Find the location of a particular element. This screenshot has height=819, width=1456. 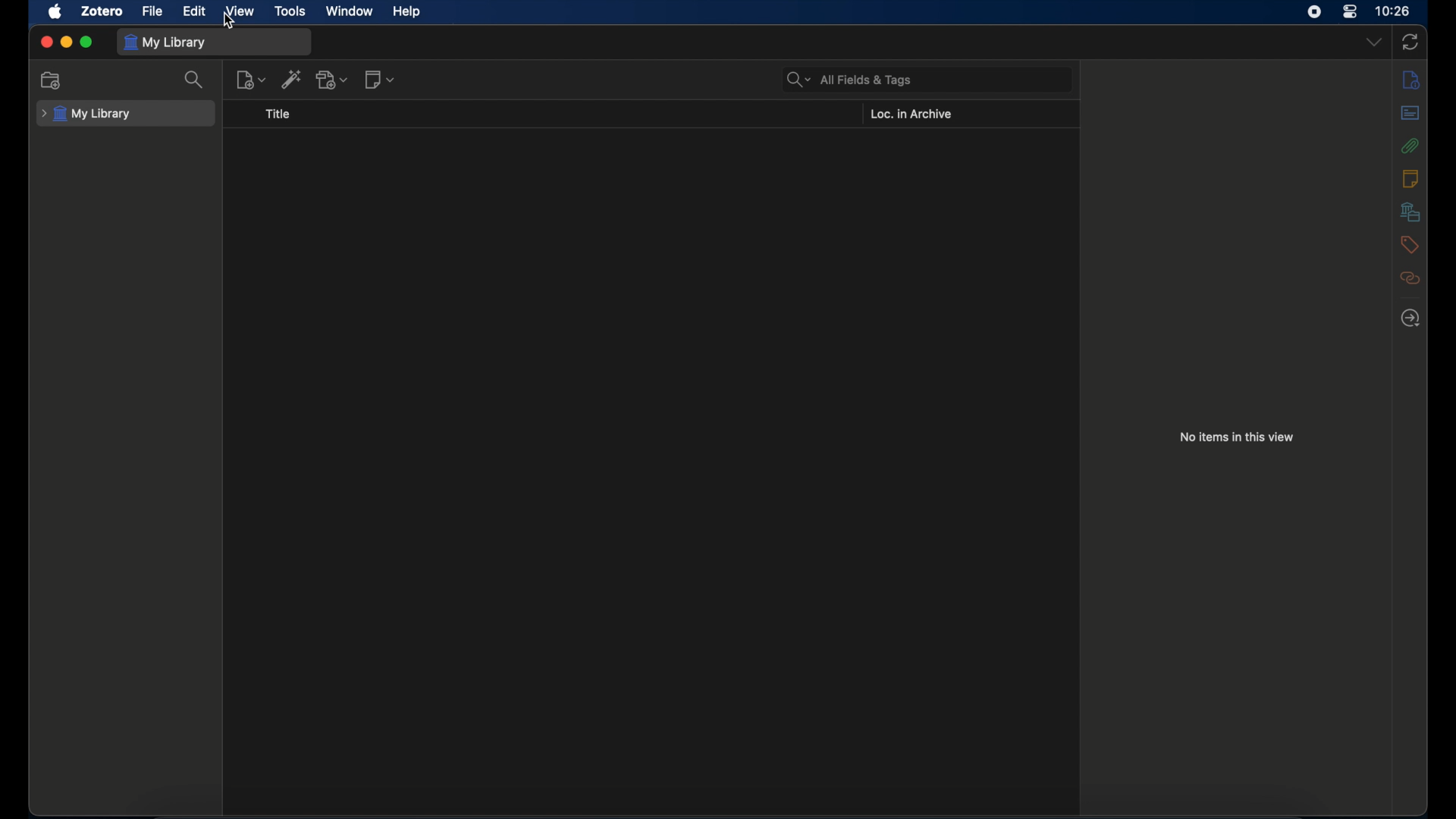

dropdown is located at coordinates (1375, 42).